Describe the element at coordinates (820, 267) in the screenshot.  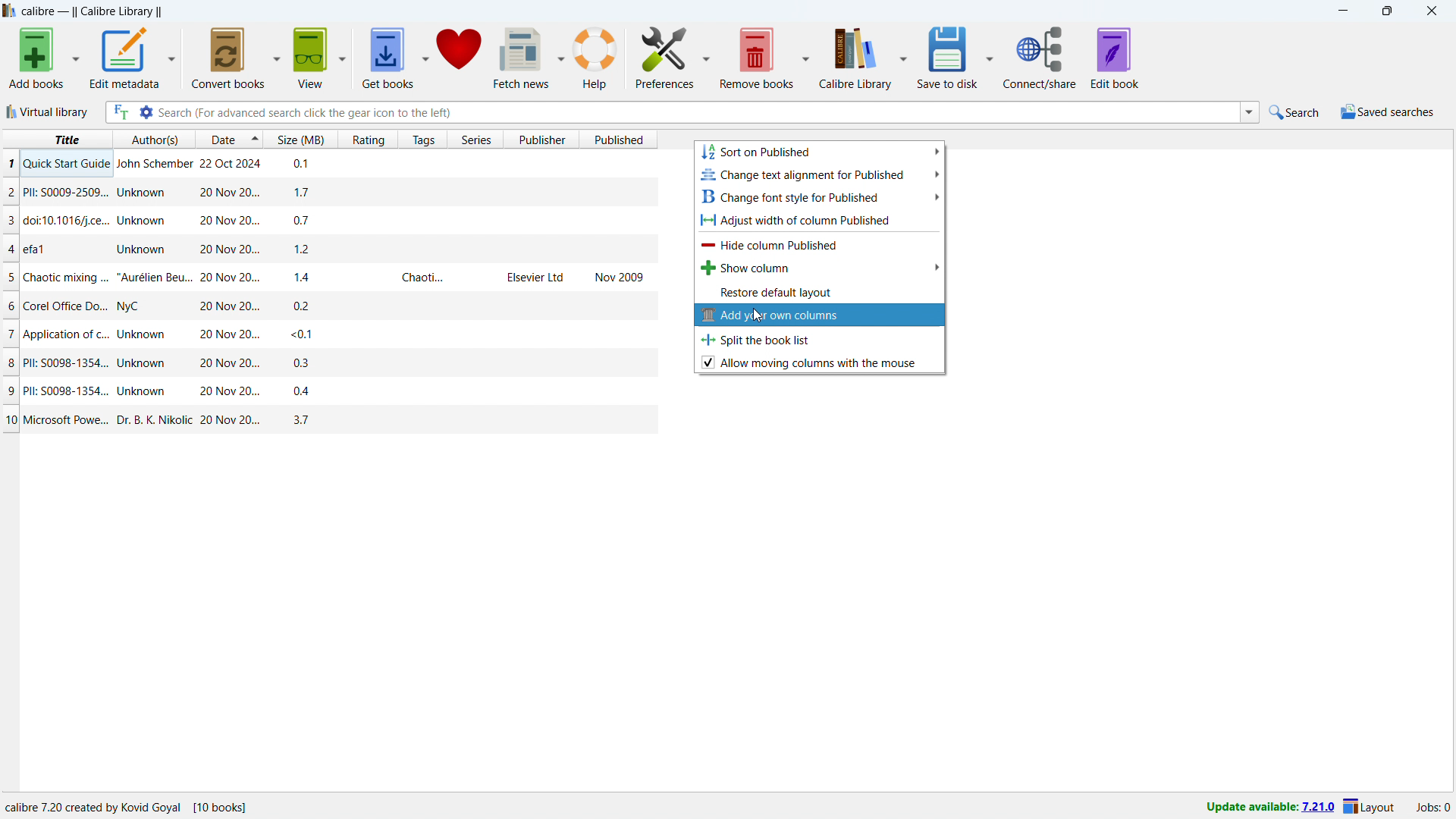
I see `show column` at that location.